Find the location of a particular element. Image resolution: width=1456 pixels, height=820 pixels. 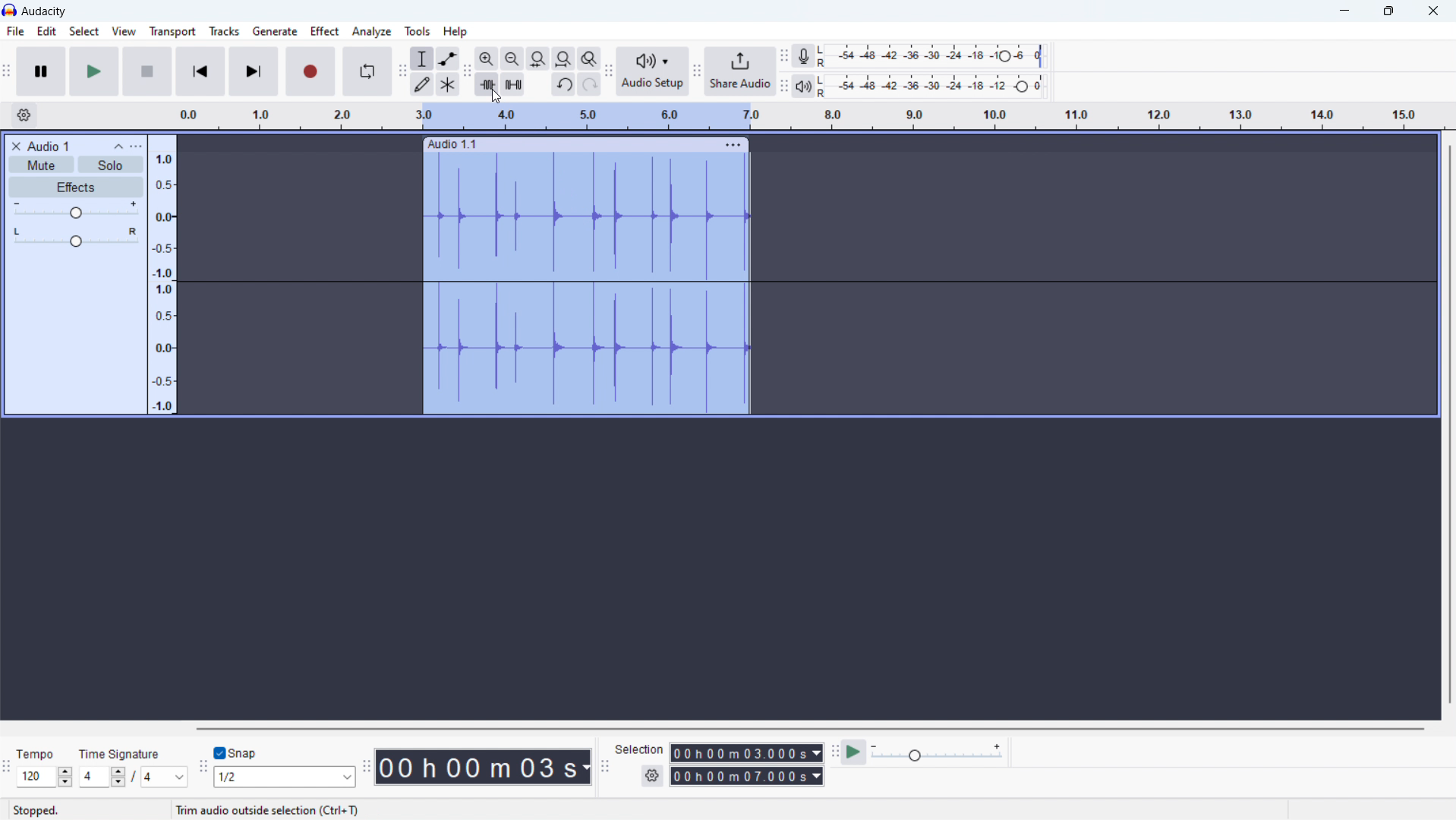

audio track trimmed is located at coordinates (586, 276).